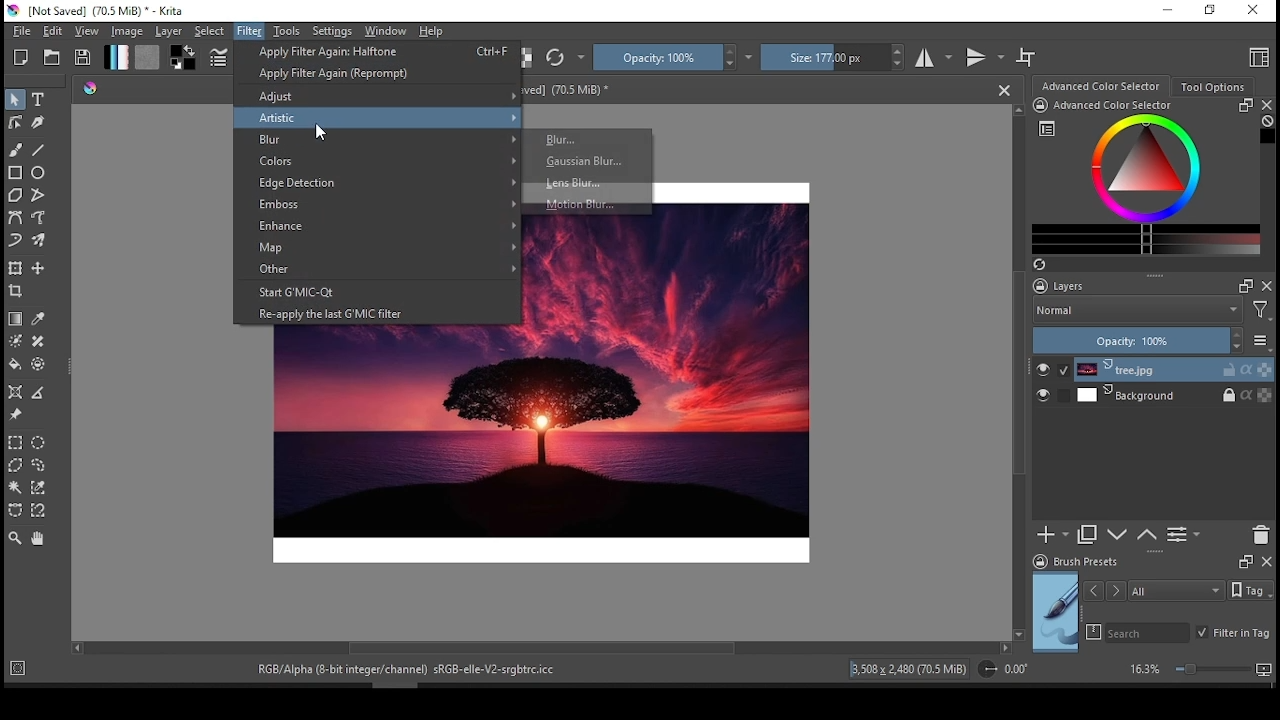  I want to click on layer 2, so click(1172, 396).